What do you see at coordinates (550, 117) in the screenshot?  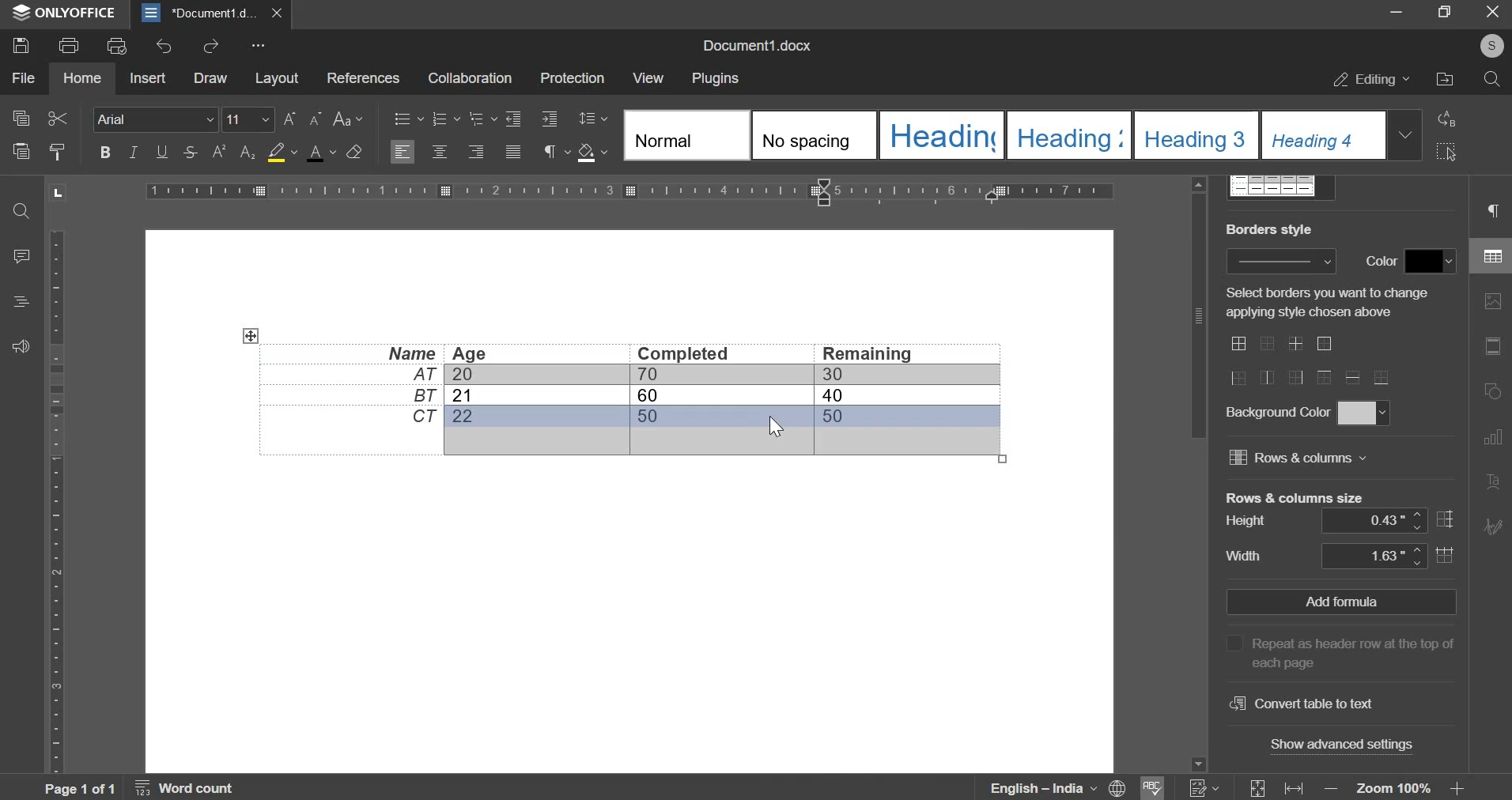 I see `decrease indent` at bounding box center [550, 117].